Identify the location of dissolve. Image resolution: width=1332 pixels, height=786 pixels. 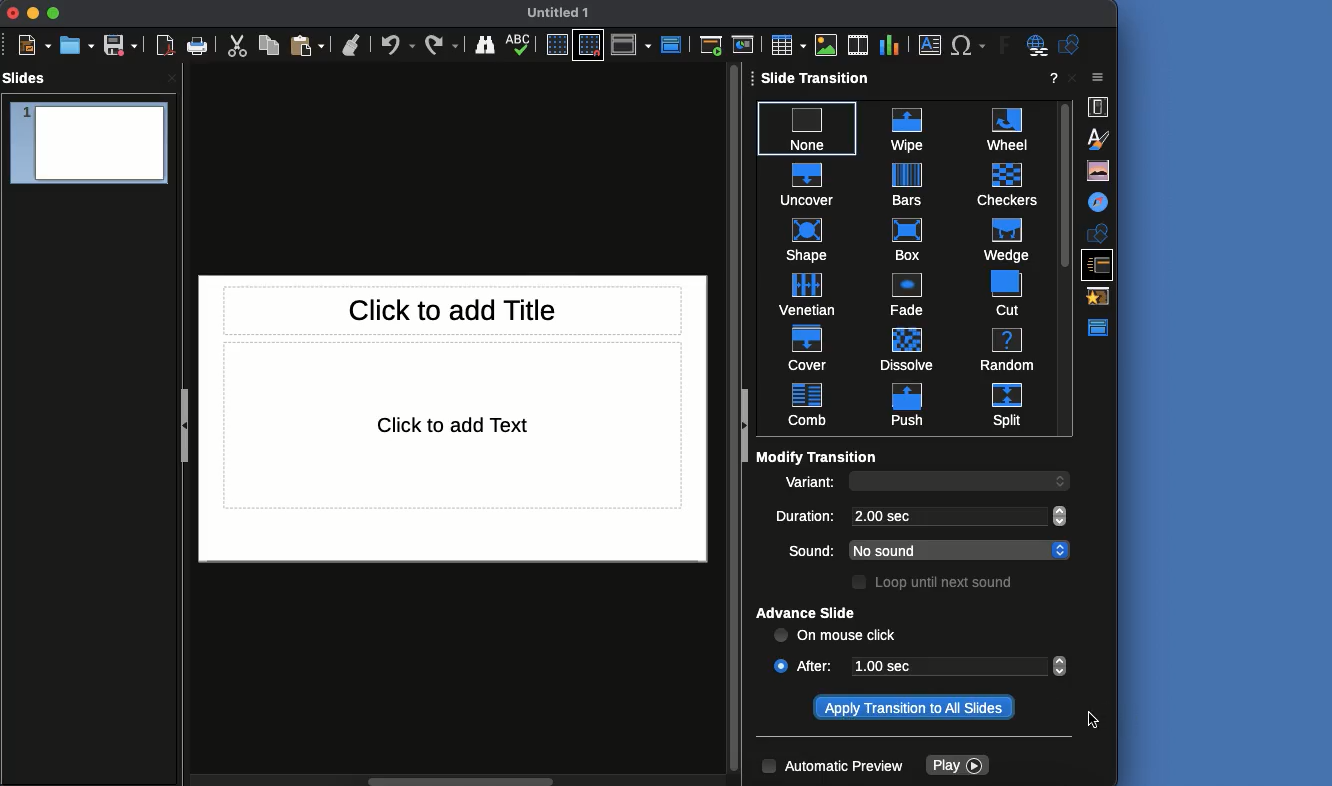
(906, 346).